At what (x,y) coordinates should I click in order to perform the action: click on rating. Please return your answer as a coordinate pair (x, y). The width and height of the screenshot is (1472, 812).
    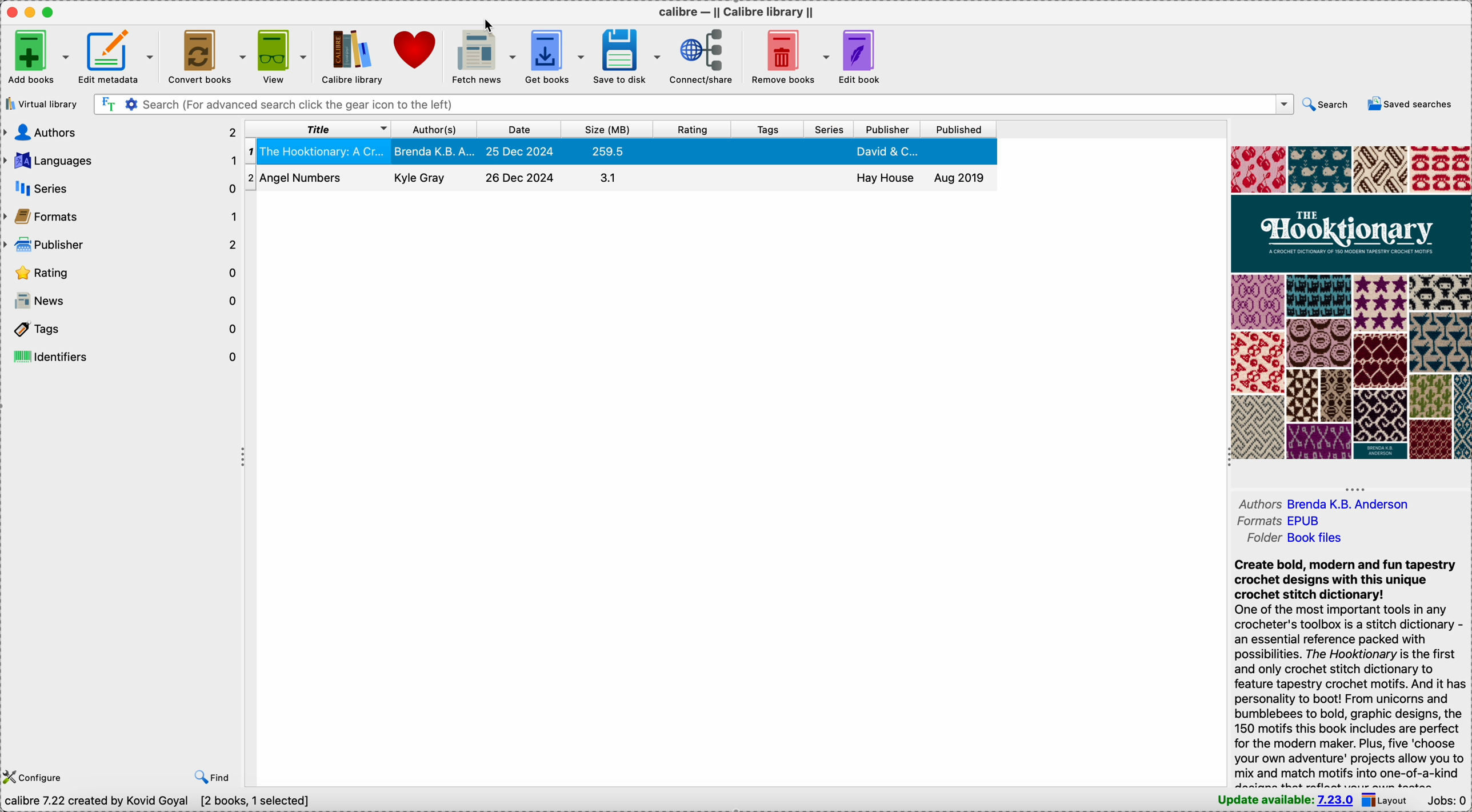
    Looking at the image, I should click on (122, 272).